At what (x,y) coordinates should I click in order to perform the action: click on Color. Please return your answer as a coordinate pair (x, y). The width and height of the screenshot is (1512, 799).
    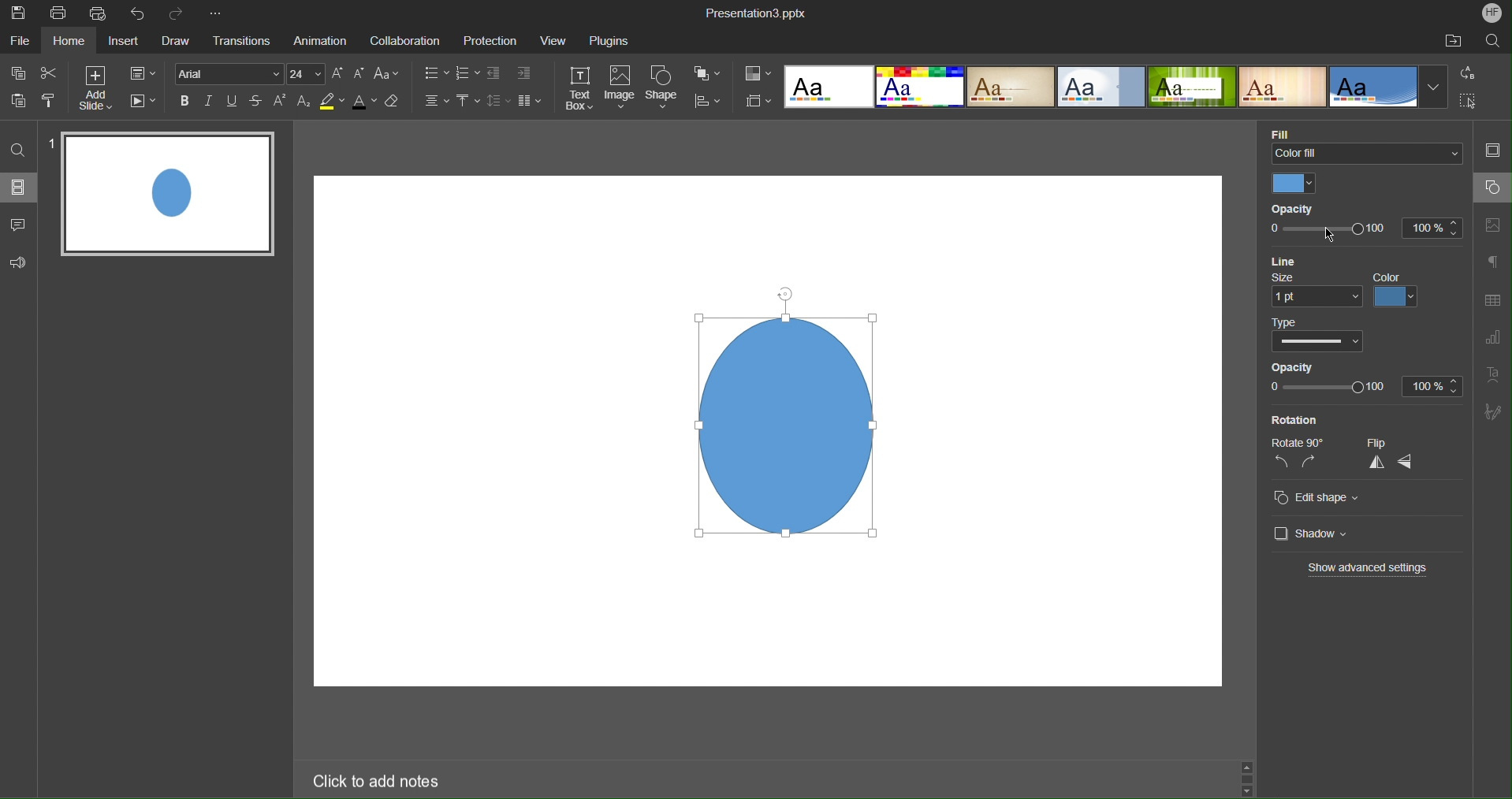
    Looking at the image, I should click on (1398, 292).